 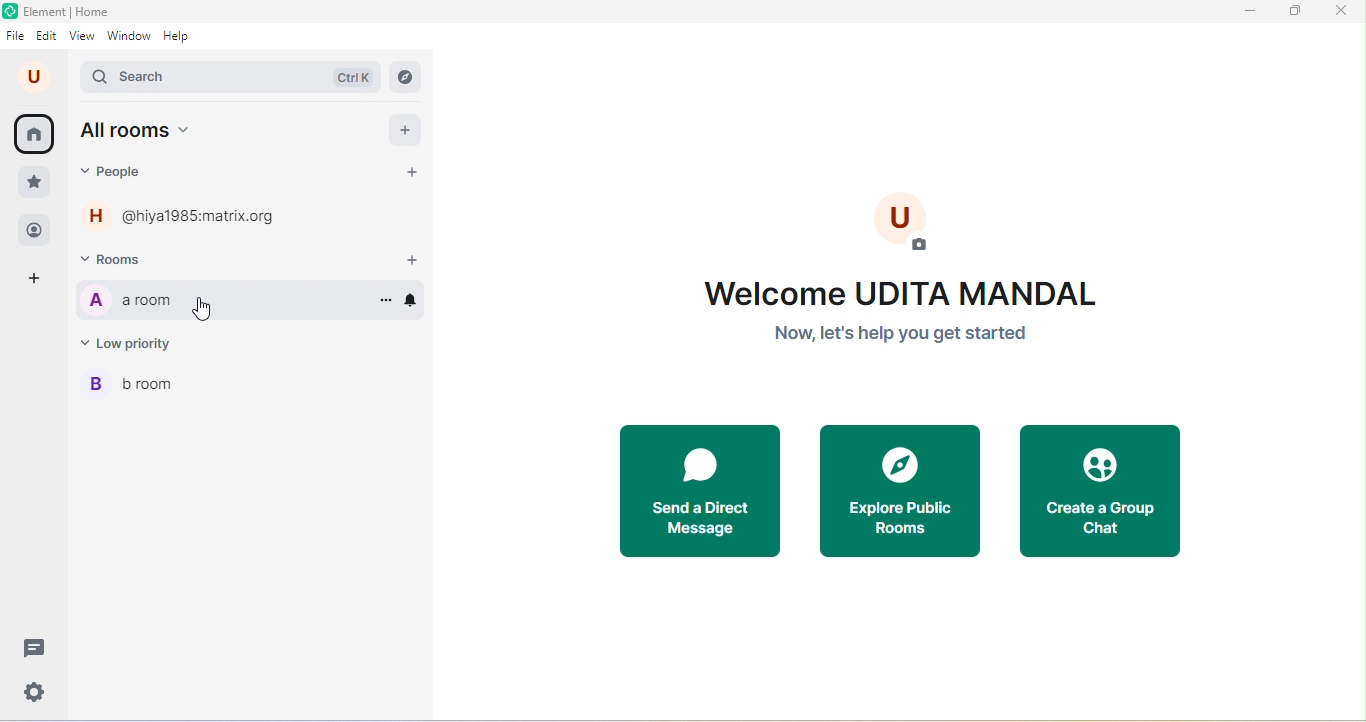 What do you see at coordinates (901, 491) in the screenshot?
I see `explore public rooms` at bounding box center [901, 491].